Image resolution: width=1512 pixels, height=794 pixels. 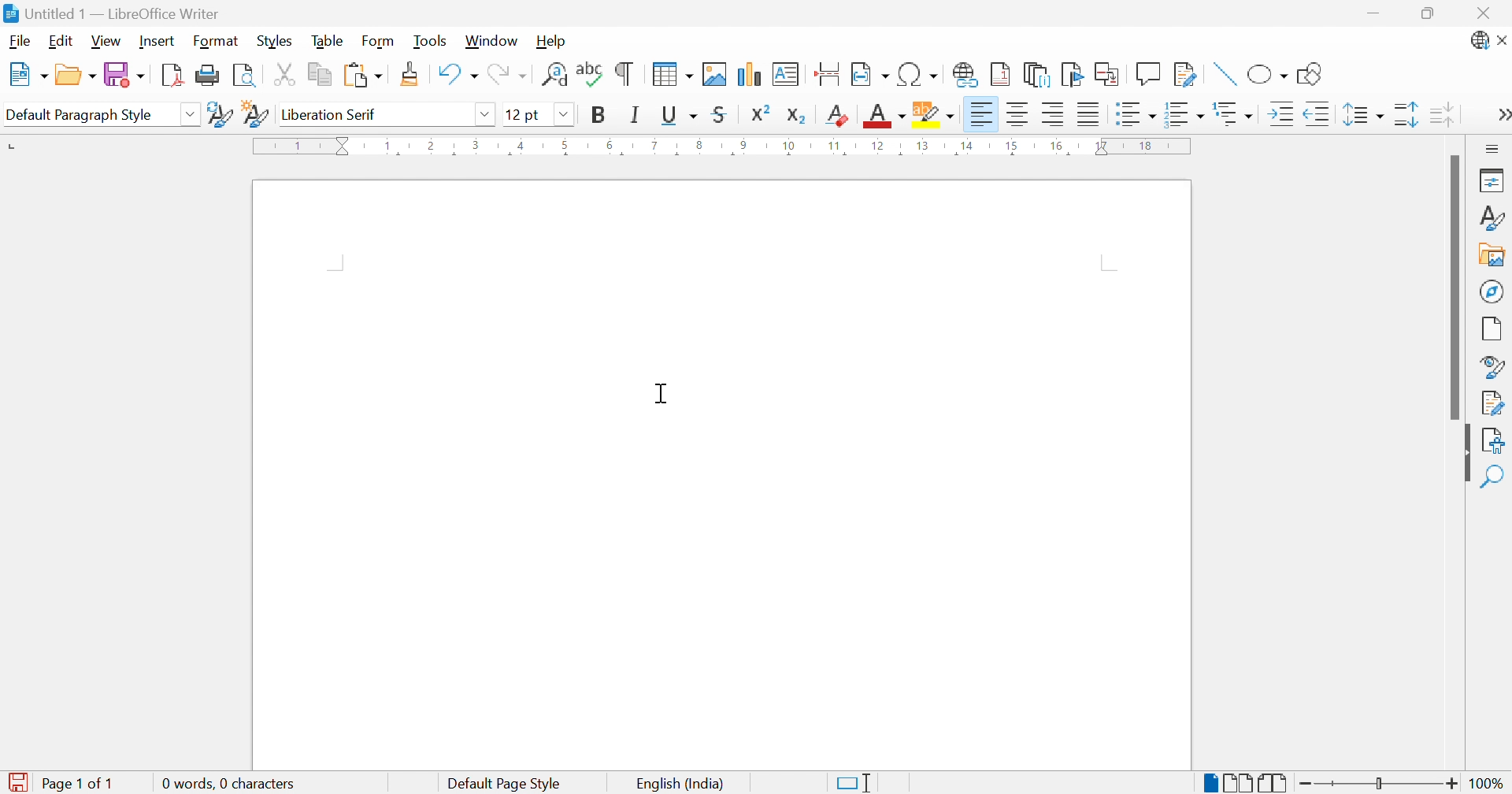 I want to click on Form, so click(x=382, y=42).